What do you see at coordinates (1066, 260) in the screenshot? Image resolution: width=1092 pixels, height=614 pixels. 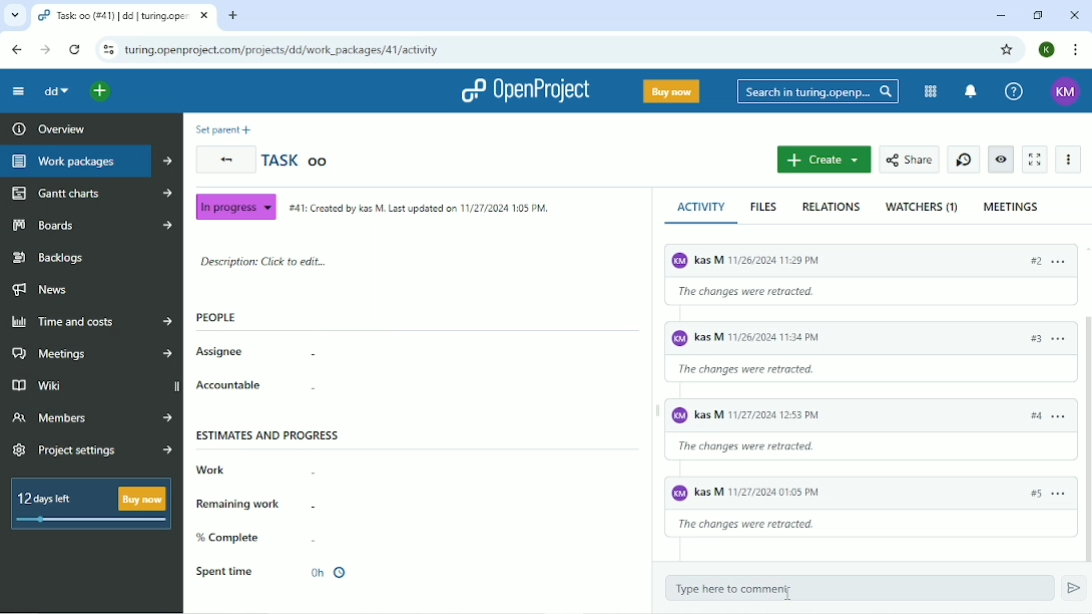 I see `options` at bounding box center [1066, 260].